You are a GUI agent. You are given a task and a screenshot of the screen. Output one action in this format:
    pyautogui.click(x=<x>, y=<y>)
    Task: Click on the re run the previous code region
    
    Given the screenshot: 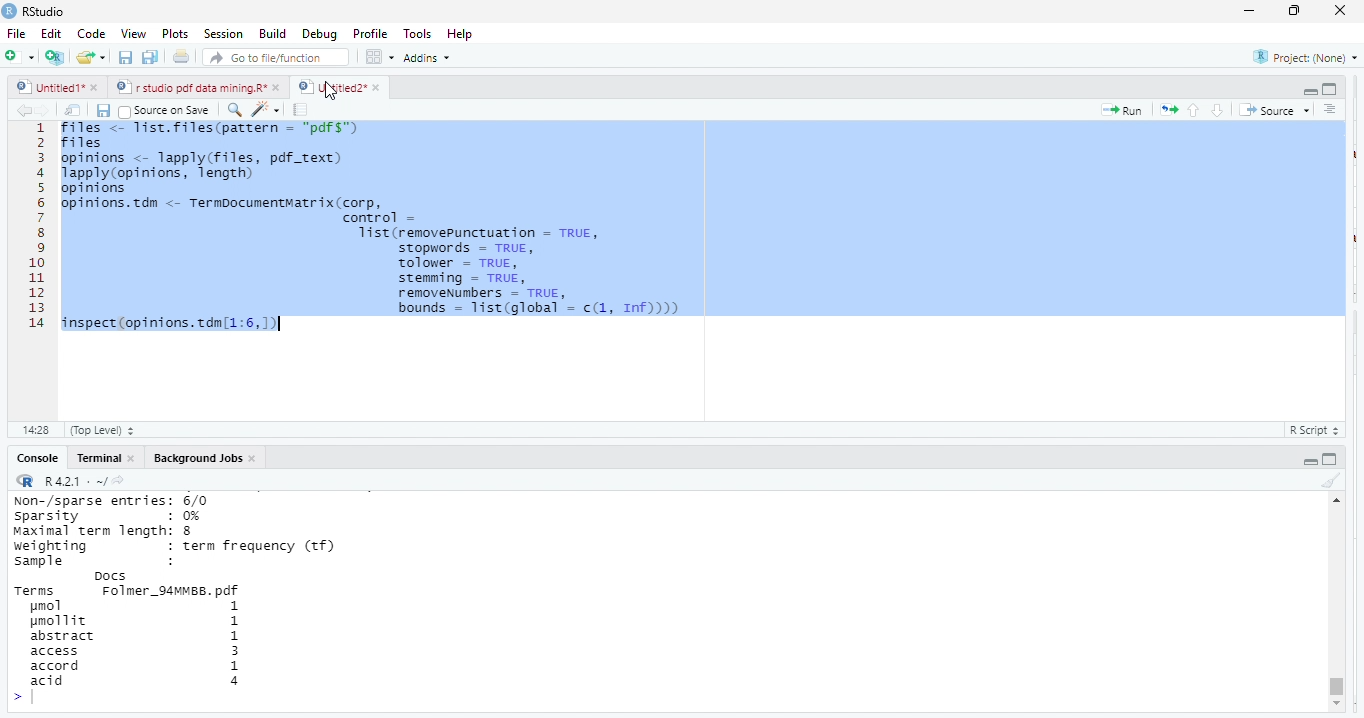 What is the action you would take?
    pyautogui.click(x=1165, y=109)
    